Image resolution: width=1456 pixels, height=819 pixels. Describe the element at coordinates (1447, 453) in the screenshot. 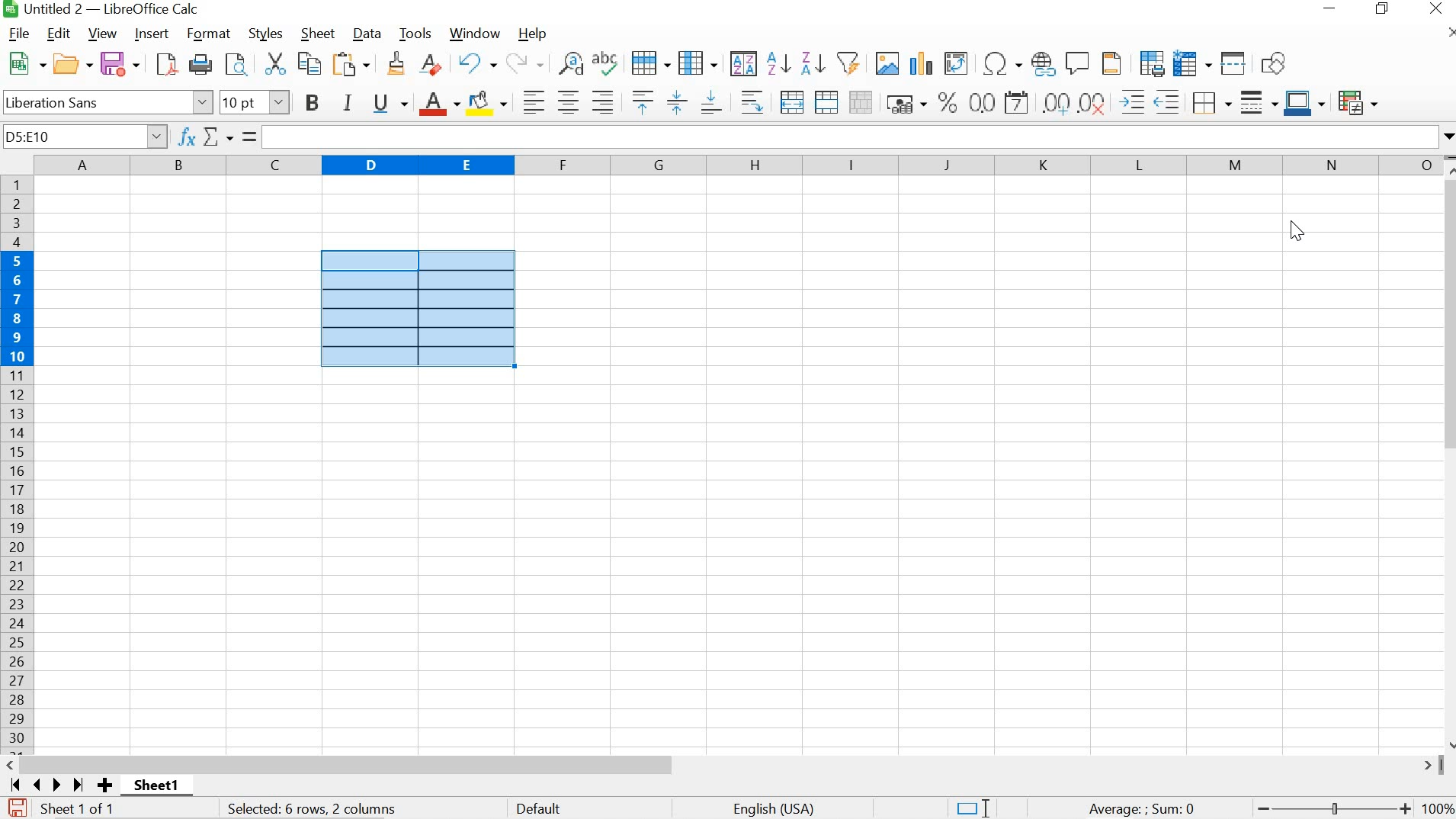

I see `SCROLLBAR` at that location.